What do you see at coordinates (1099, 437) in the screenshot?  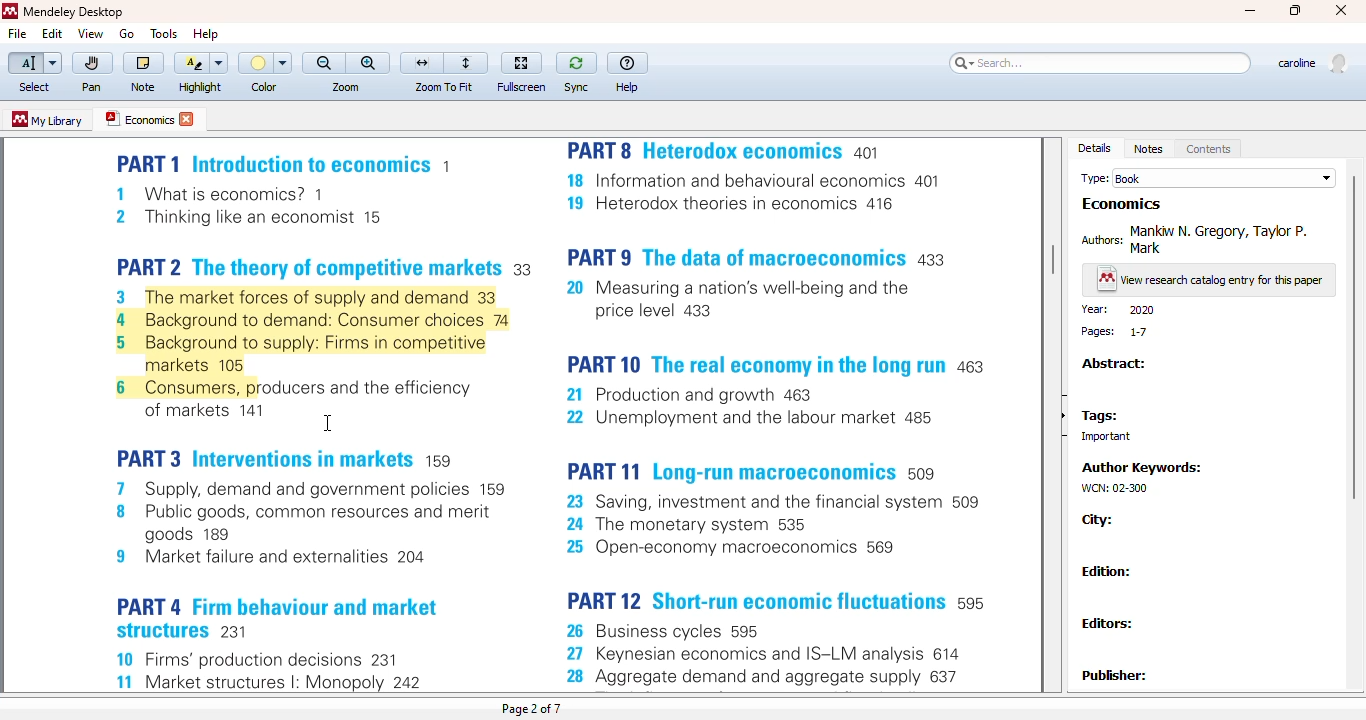 I see `important` at bounding box center [1099, 437].